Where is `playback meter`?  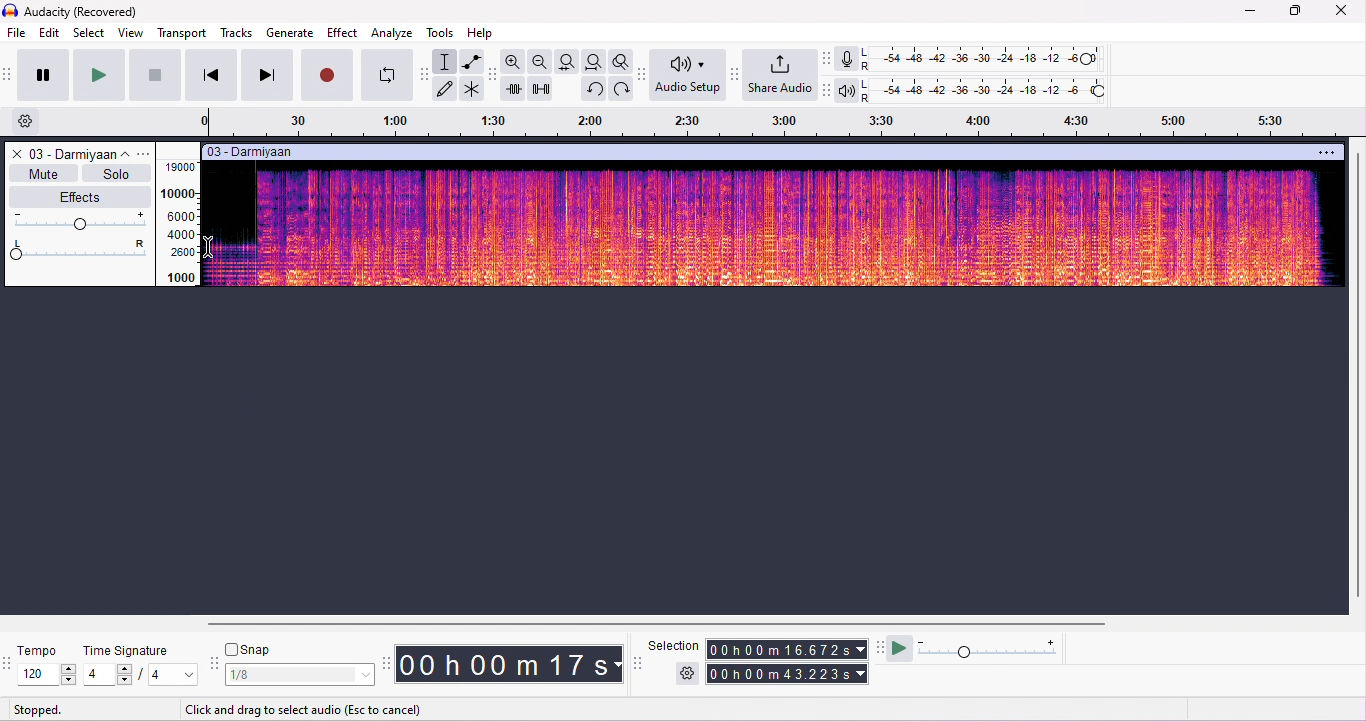 playback meter is located at coordinates (847, 90).